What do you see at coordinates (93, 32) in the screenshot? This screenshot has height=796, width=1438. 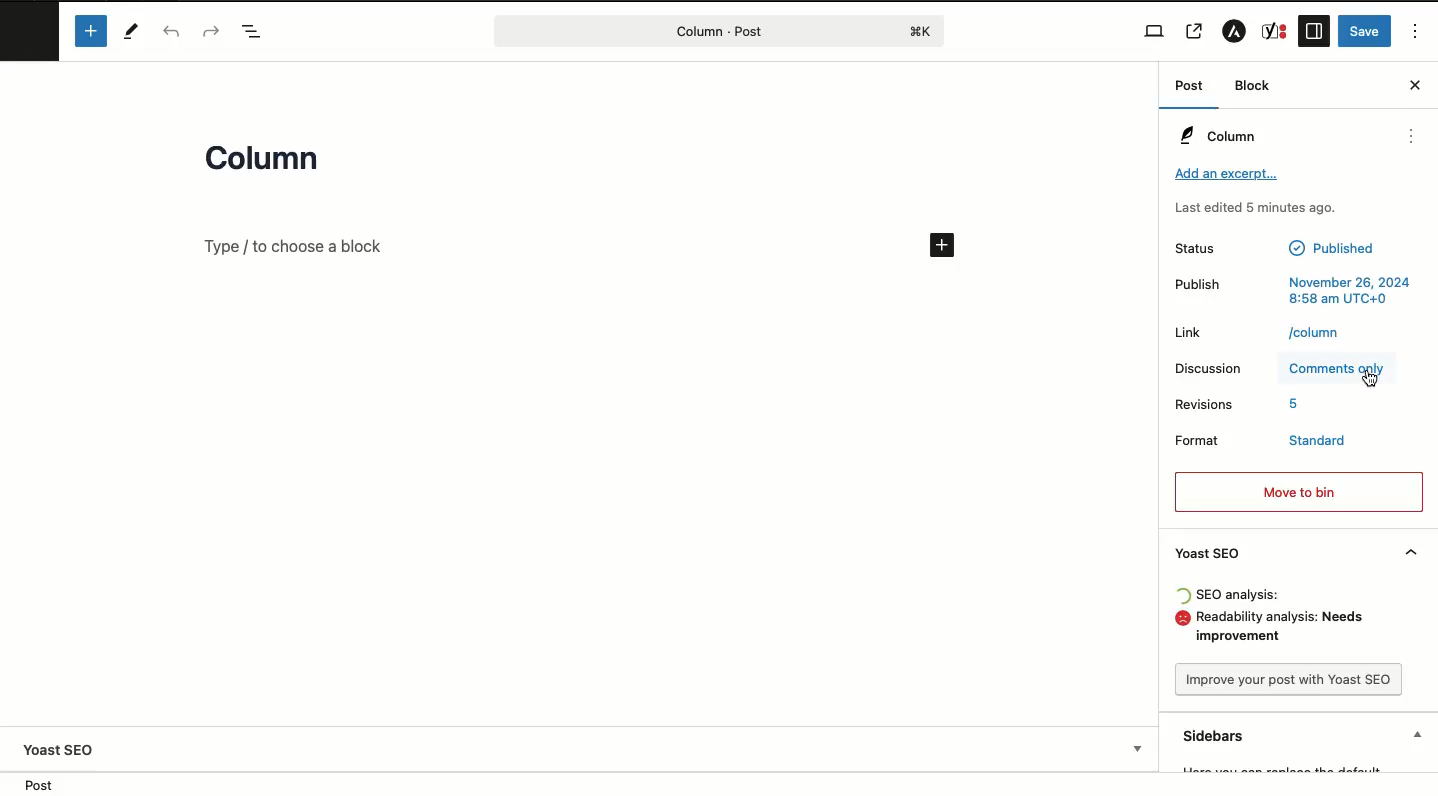 I see `Add new block` at bounding box center [93, 32].